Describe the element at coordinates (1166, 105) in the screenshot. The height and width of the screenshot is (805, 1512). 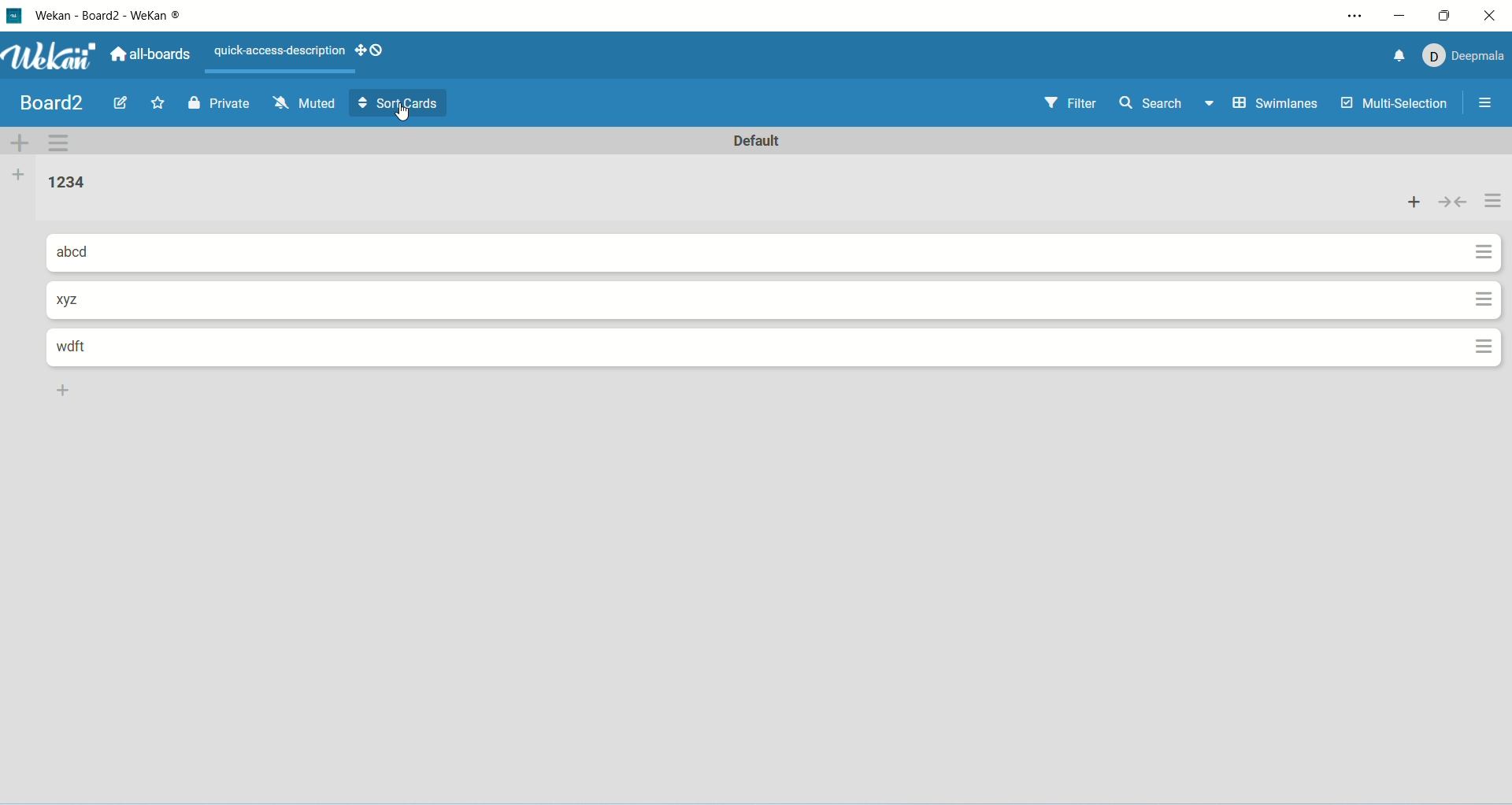
I see `search` at that location.